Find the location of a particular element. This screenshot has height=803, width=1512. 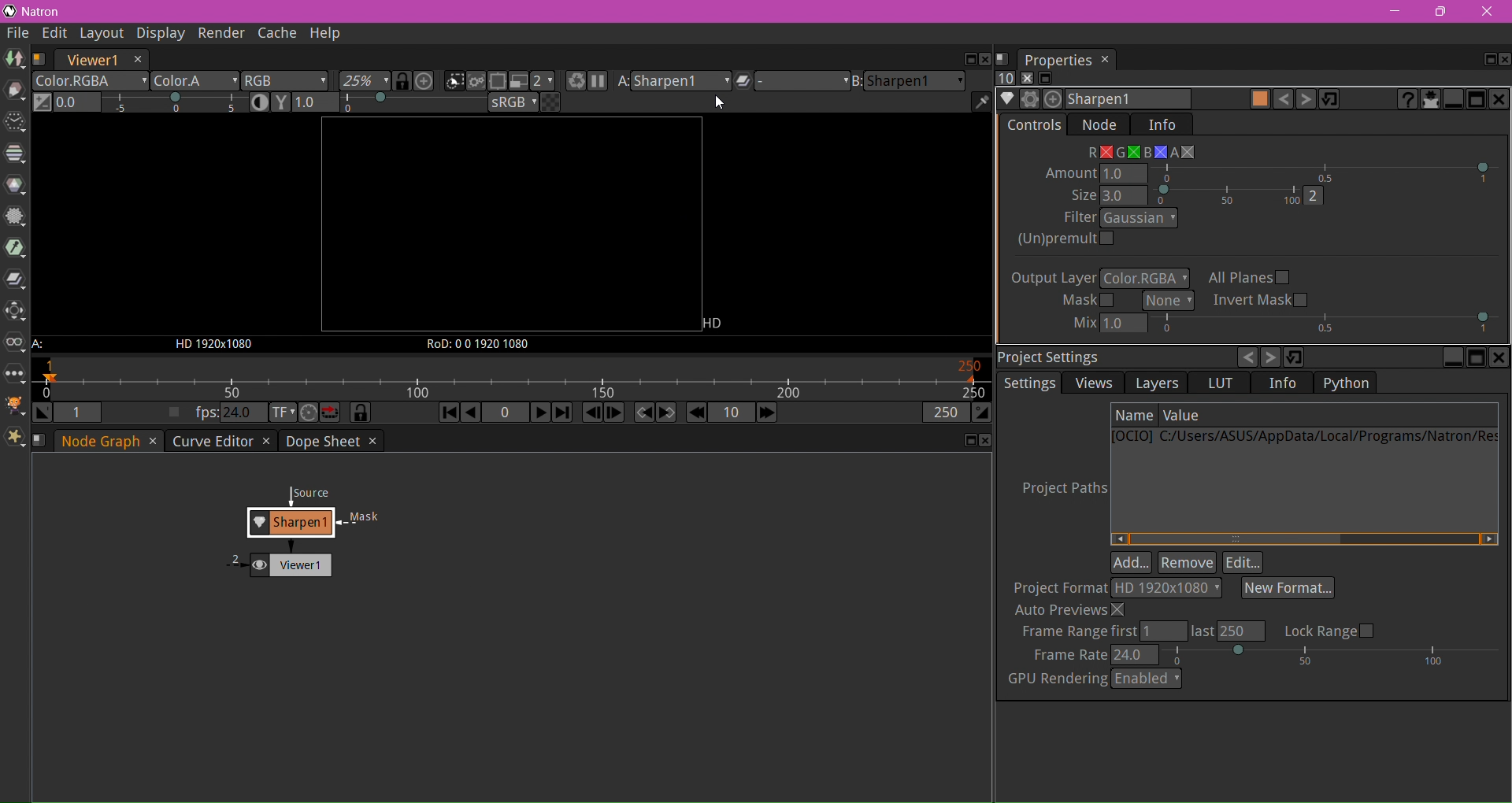

Layout is located at coordinates (101, 35).